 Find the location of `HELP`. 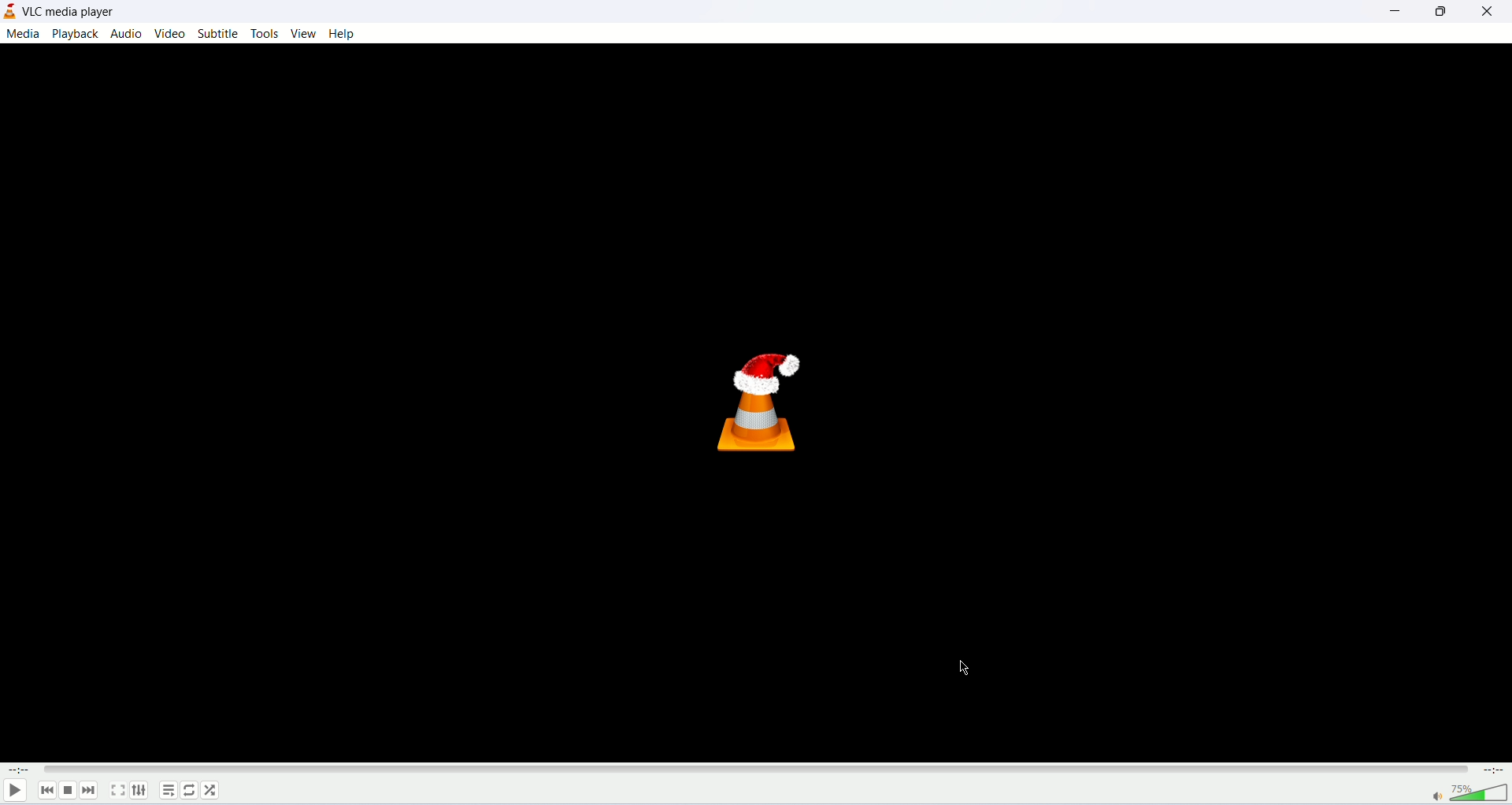

HELP is located at coordinates (343, 34).